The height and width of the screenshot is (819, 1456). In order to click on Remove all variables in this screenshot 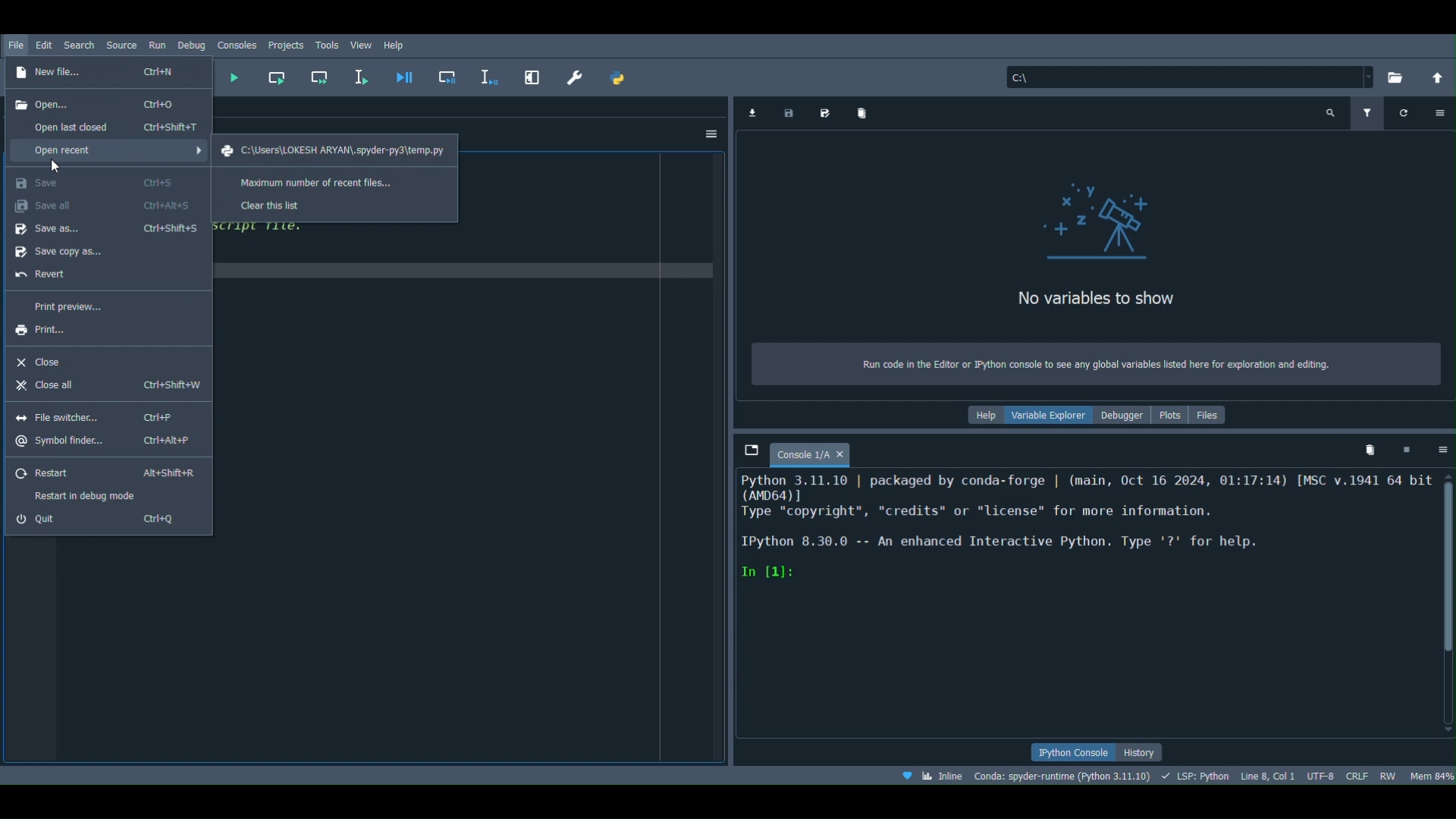, I will do `click(865, 114)`.